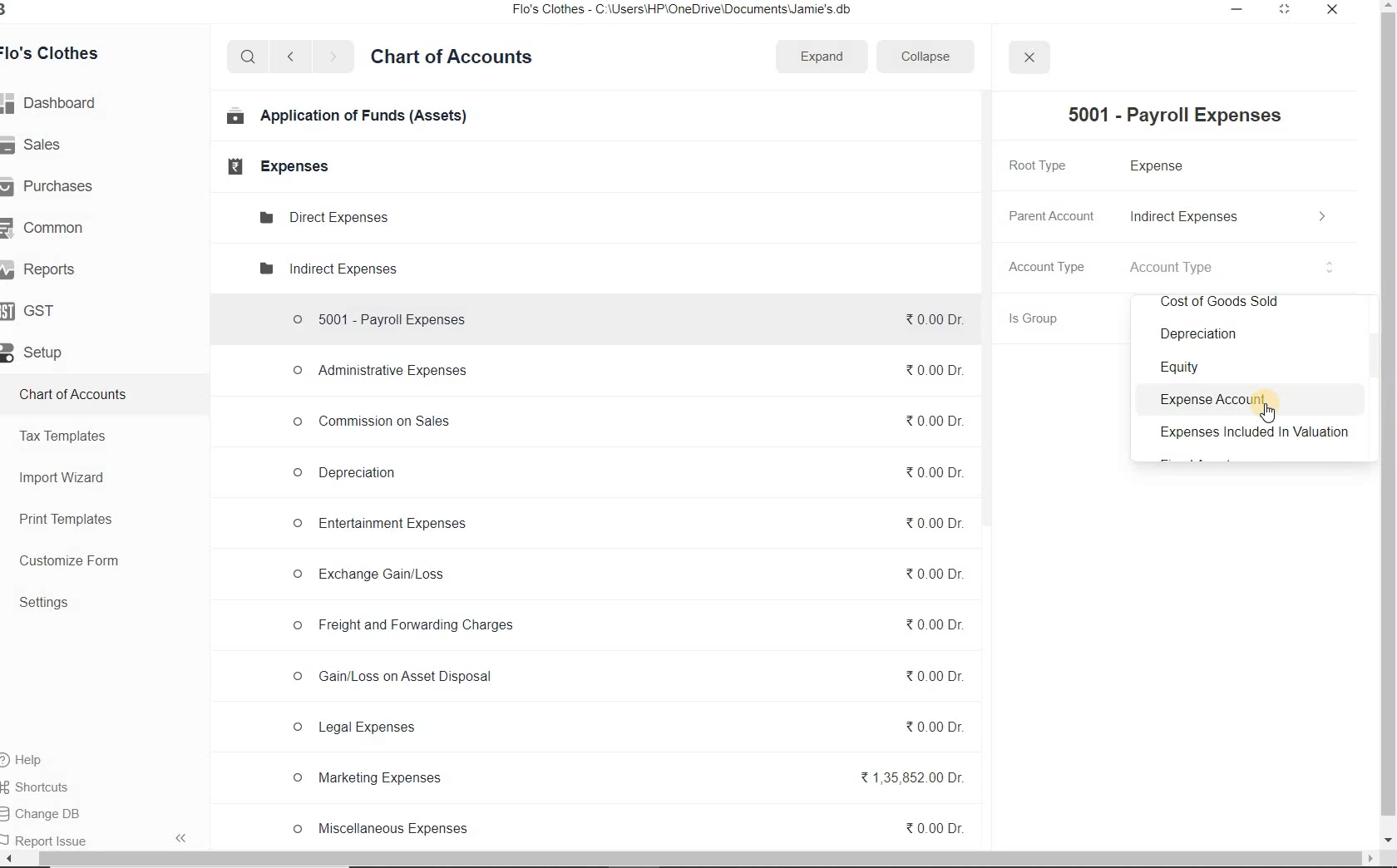 The height and width of the screenshot is (868, 1397). Describe the element at coordinates (681, 859) in the screenshot. I see `horizontal scrollbar` at that location.